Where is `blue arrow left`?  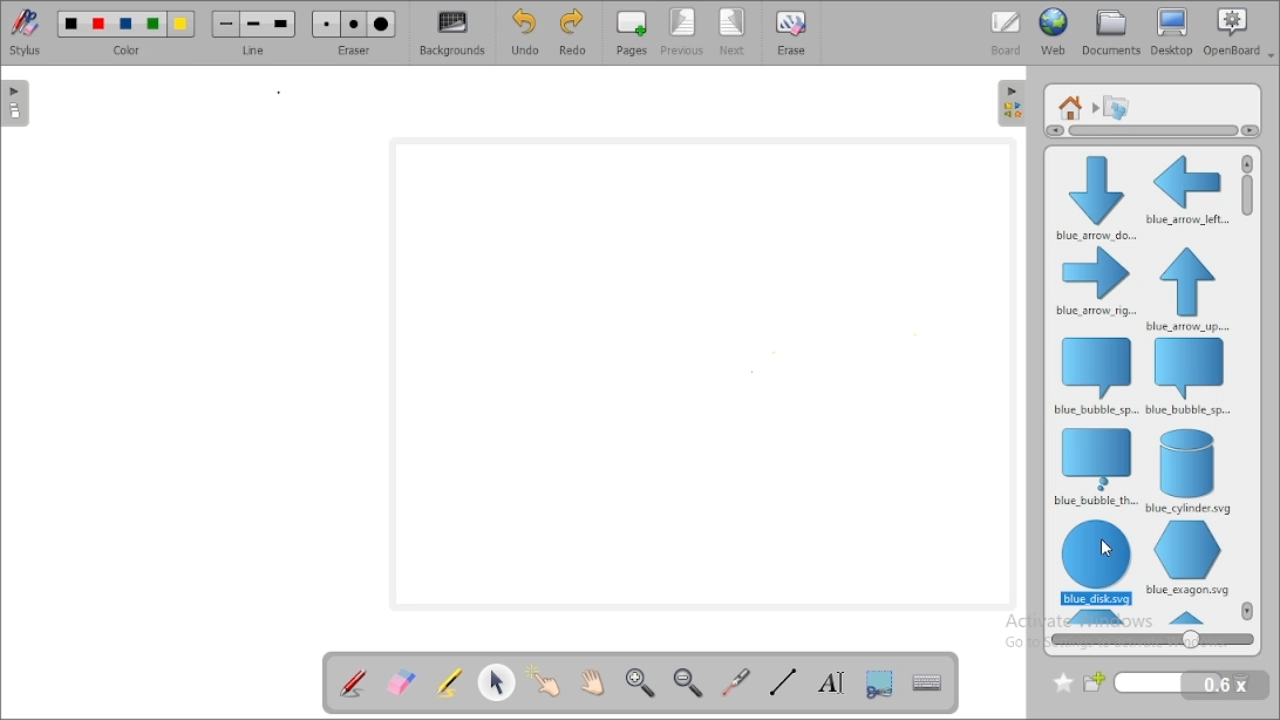
blue arrow left is located at coordinates (1187, 189).